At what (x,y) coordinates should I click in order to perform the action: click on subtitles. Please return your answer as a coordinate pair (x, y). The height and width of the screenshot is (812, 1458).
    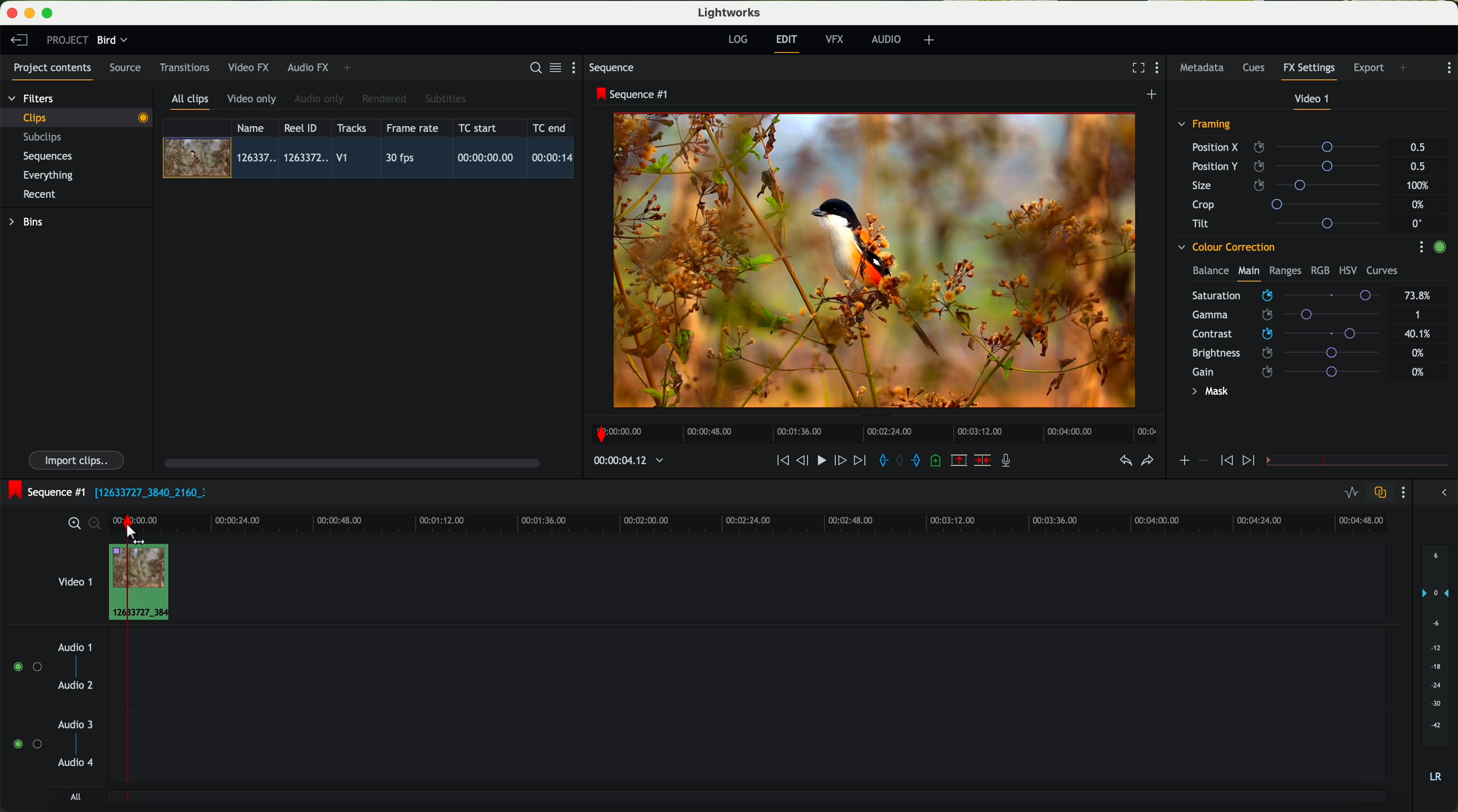
    Looking at the image, I should click on (444, 99).